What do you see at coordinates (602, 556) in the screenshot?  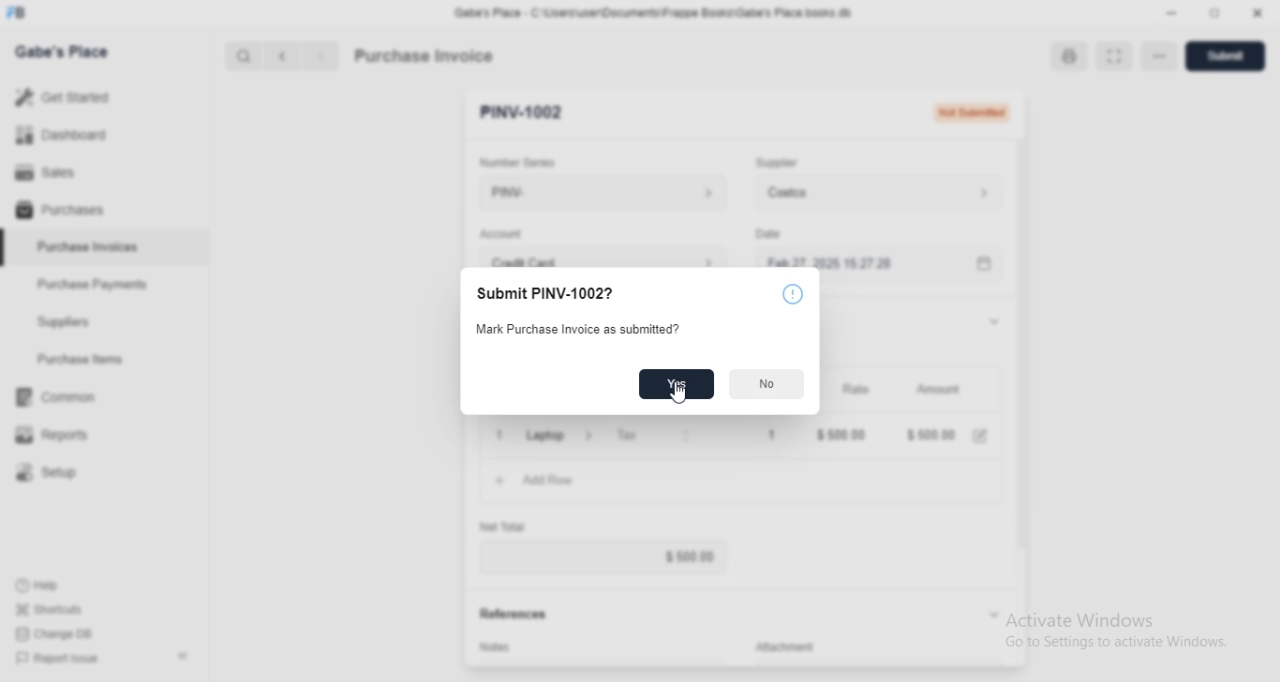 I see `$ 500.00` at bounding box center [602, 556].